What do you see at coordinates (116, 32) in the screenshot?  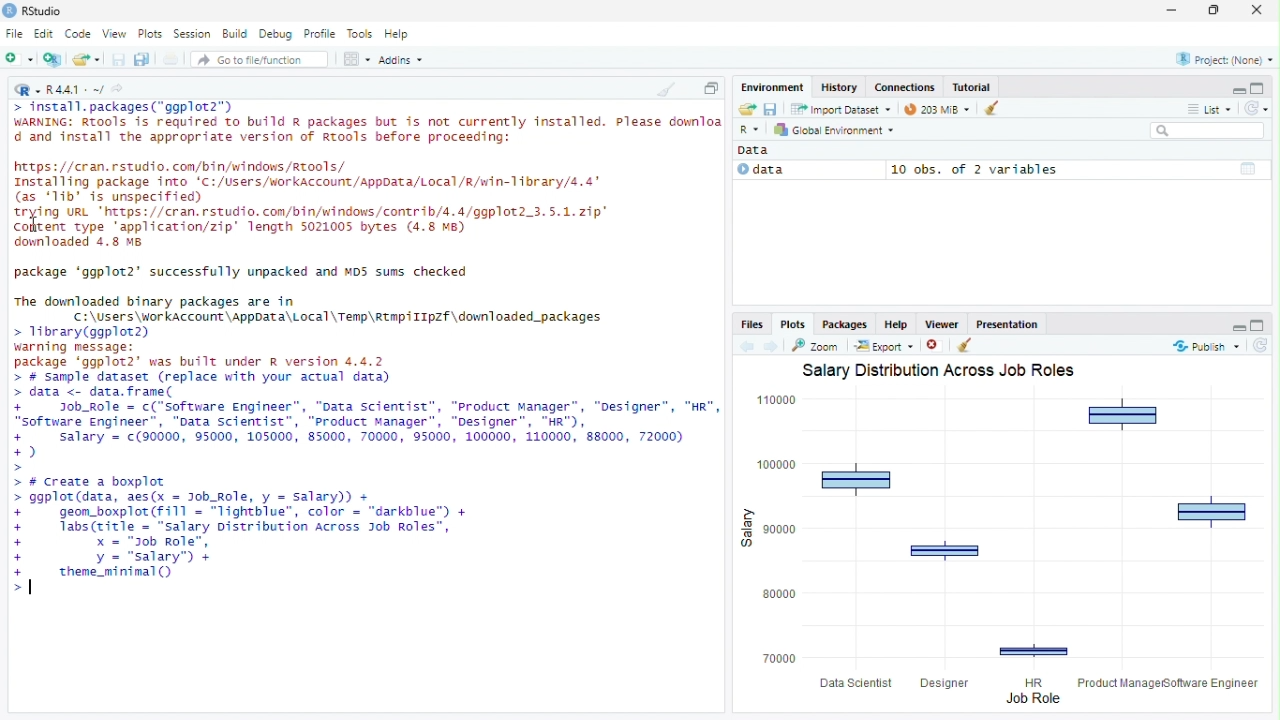 I see `View` at bounding box center [116, 32].